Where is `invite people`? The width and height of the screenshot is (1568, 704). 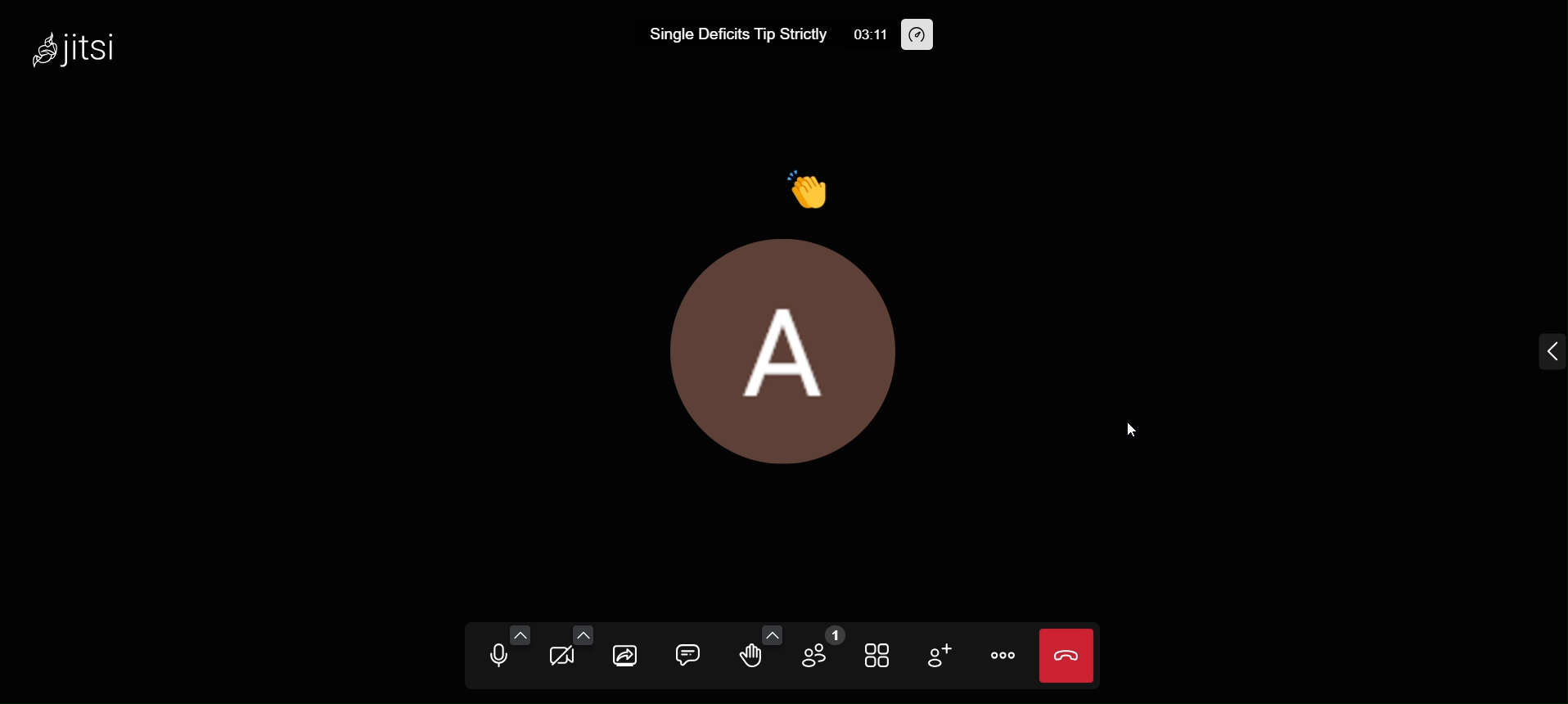 invite people is located at coordinates (939, 656).